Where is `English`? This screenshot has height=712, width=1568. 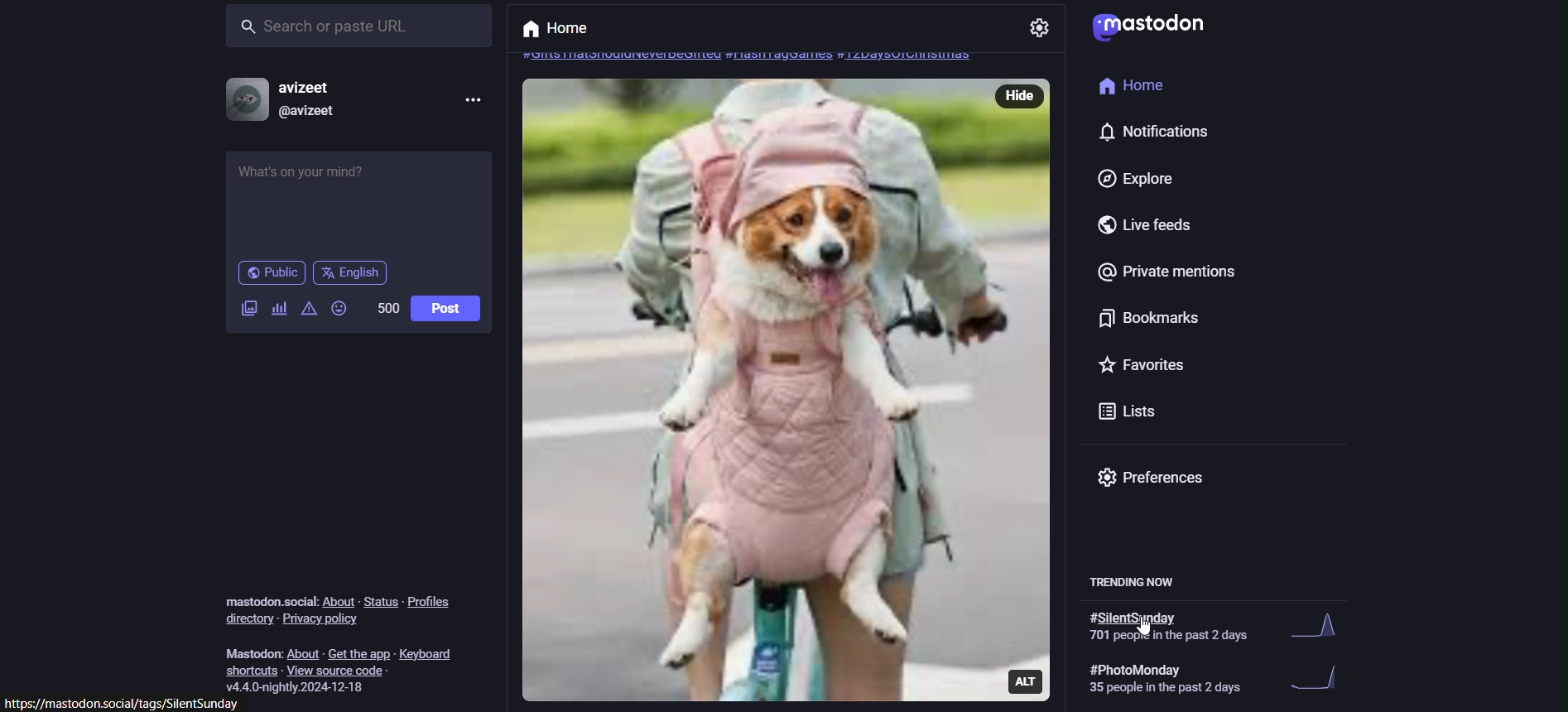 English is located at coordinates (349, 272).